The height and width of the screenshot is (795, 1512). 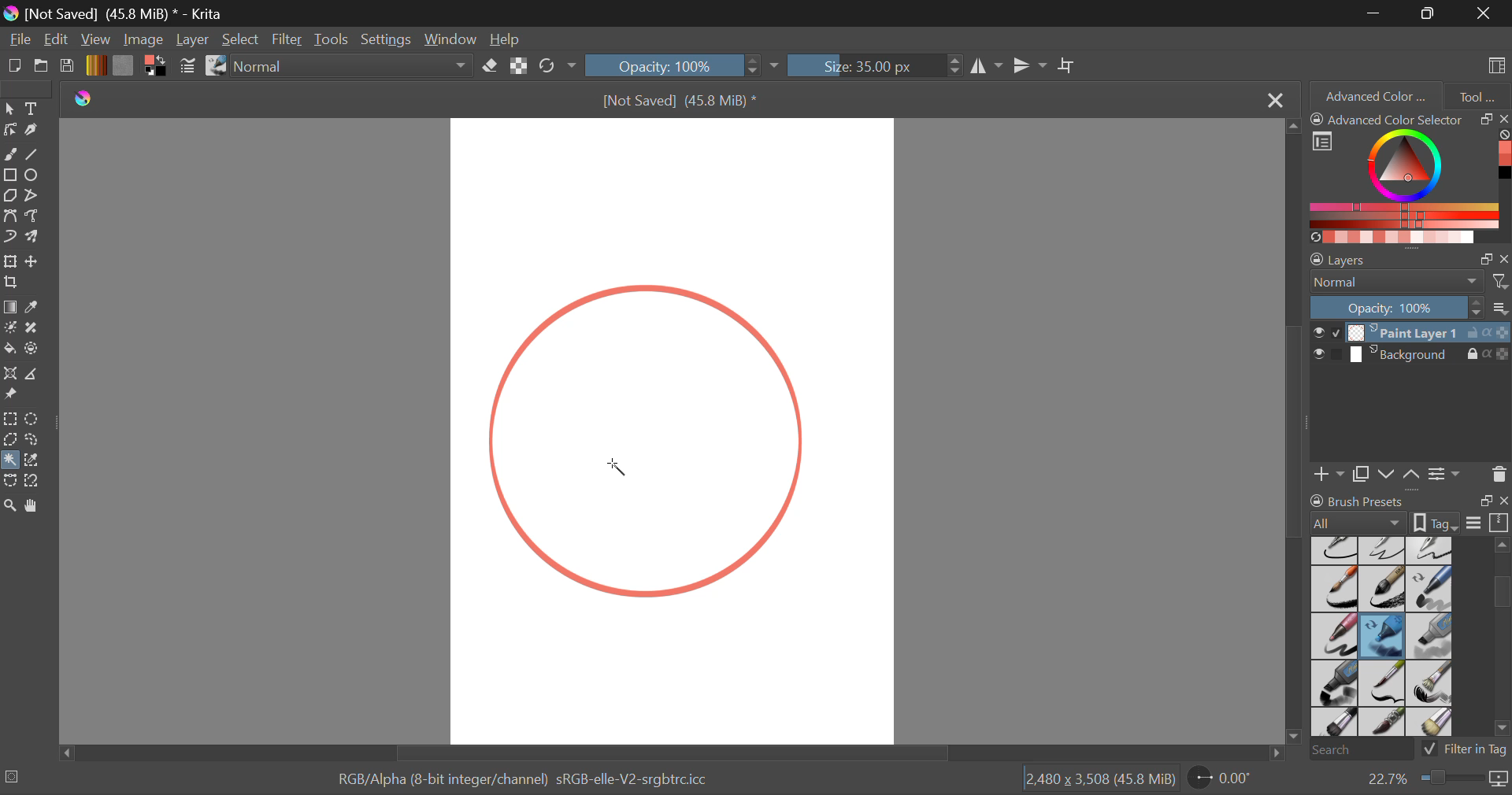 I want to click on Bezier Curve Selection, so click(x=9, y=481).